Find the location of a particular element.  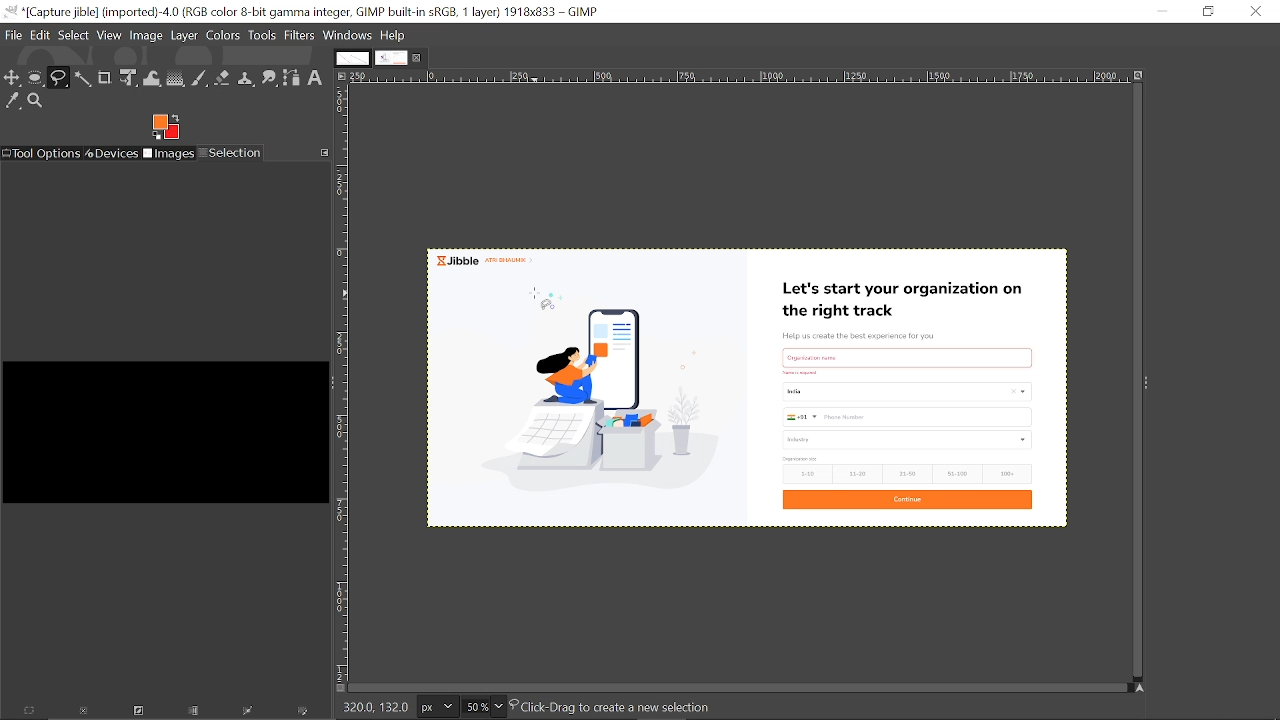

Select is located at coordinates (74, 34).